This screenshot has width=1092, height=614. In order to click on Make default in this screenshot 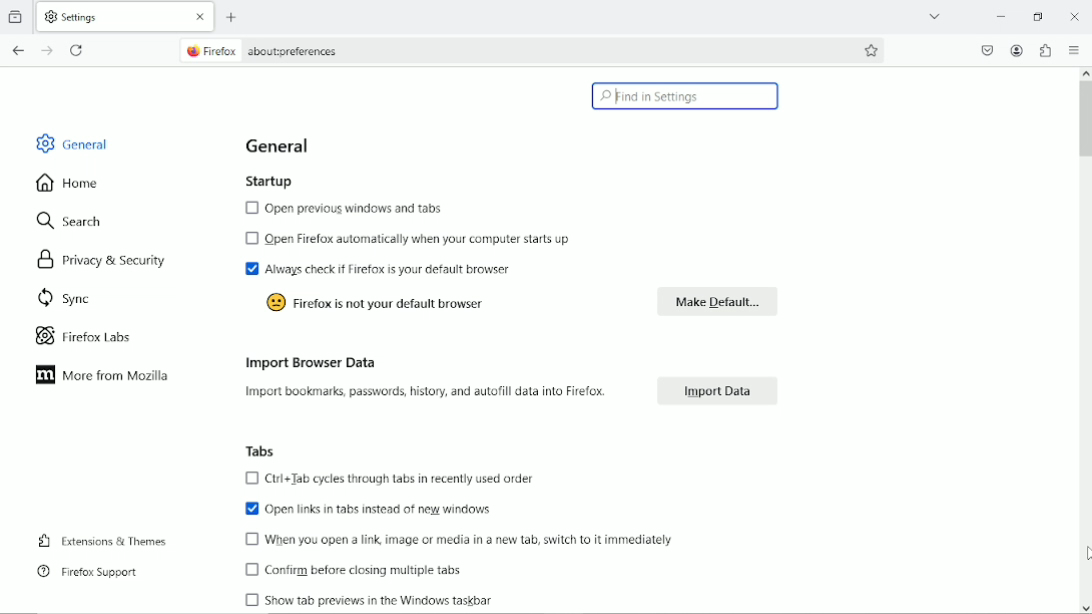, I will do `click(716, 300)`.